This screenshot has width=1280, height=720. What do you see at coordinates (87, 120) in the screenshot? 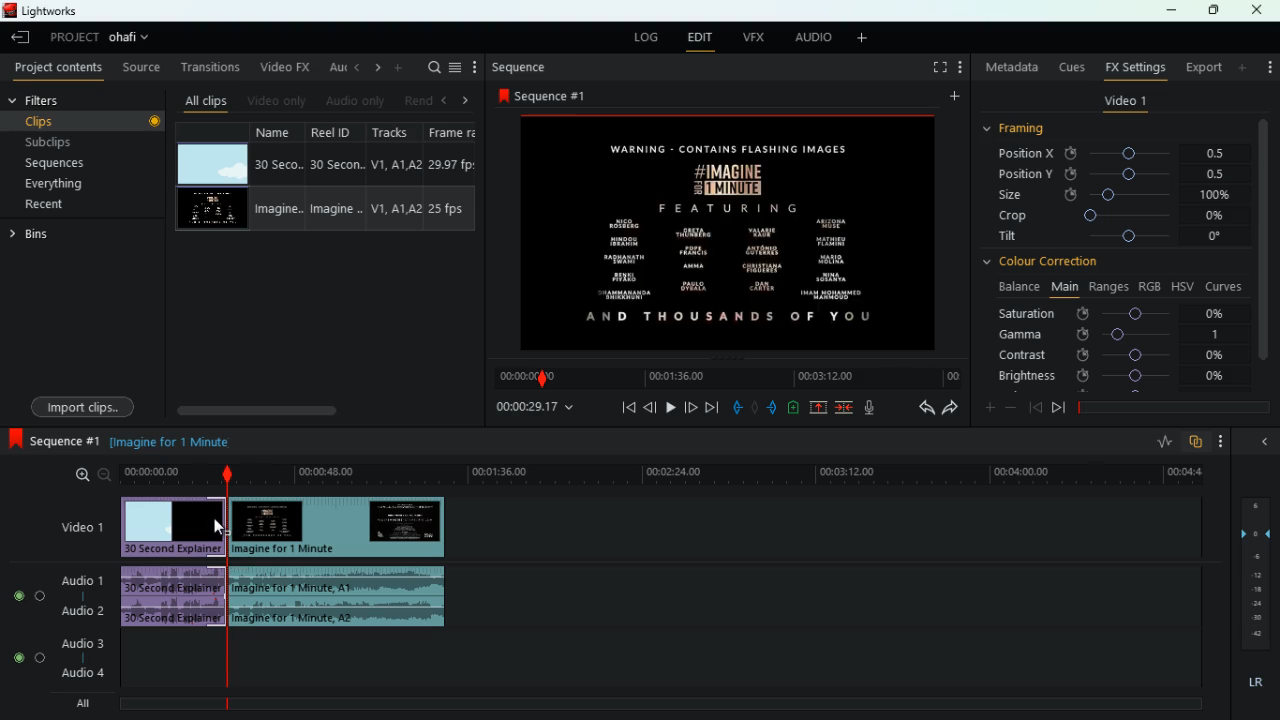
I see `clips` at bounding box center [87, 120].